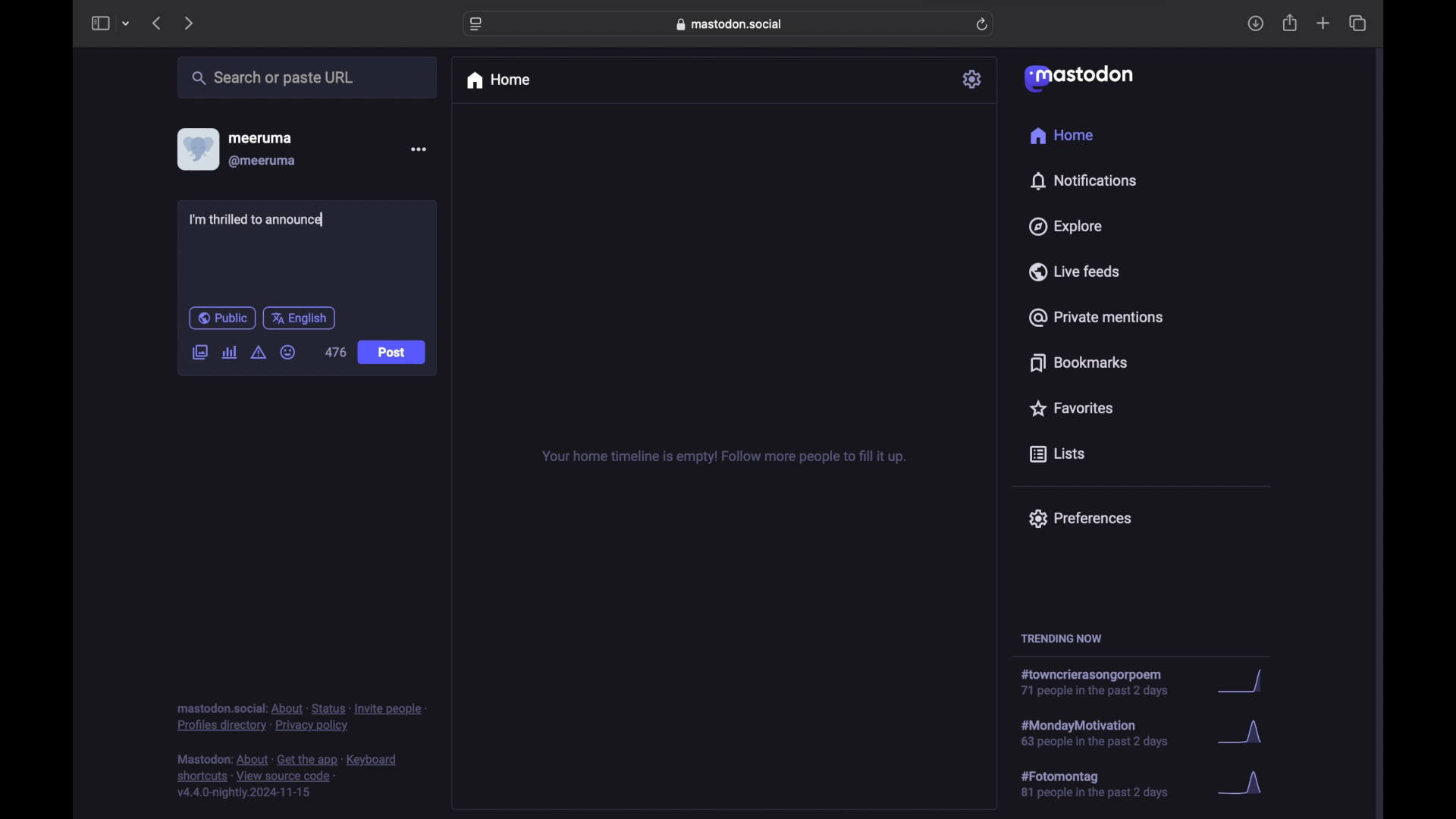 This screenshot has height=819, width=1456. Describe the element at coordinates (1063, 135) in the screenshot. I see `home` at that location.